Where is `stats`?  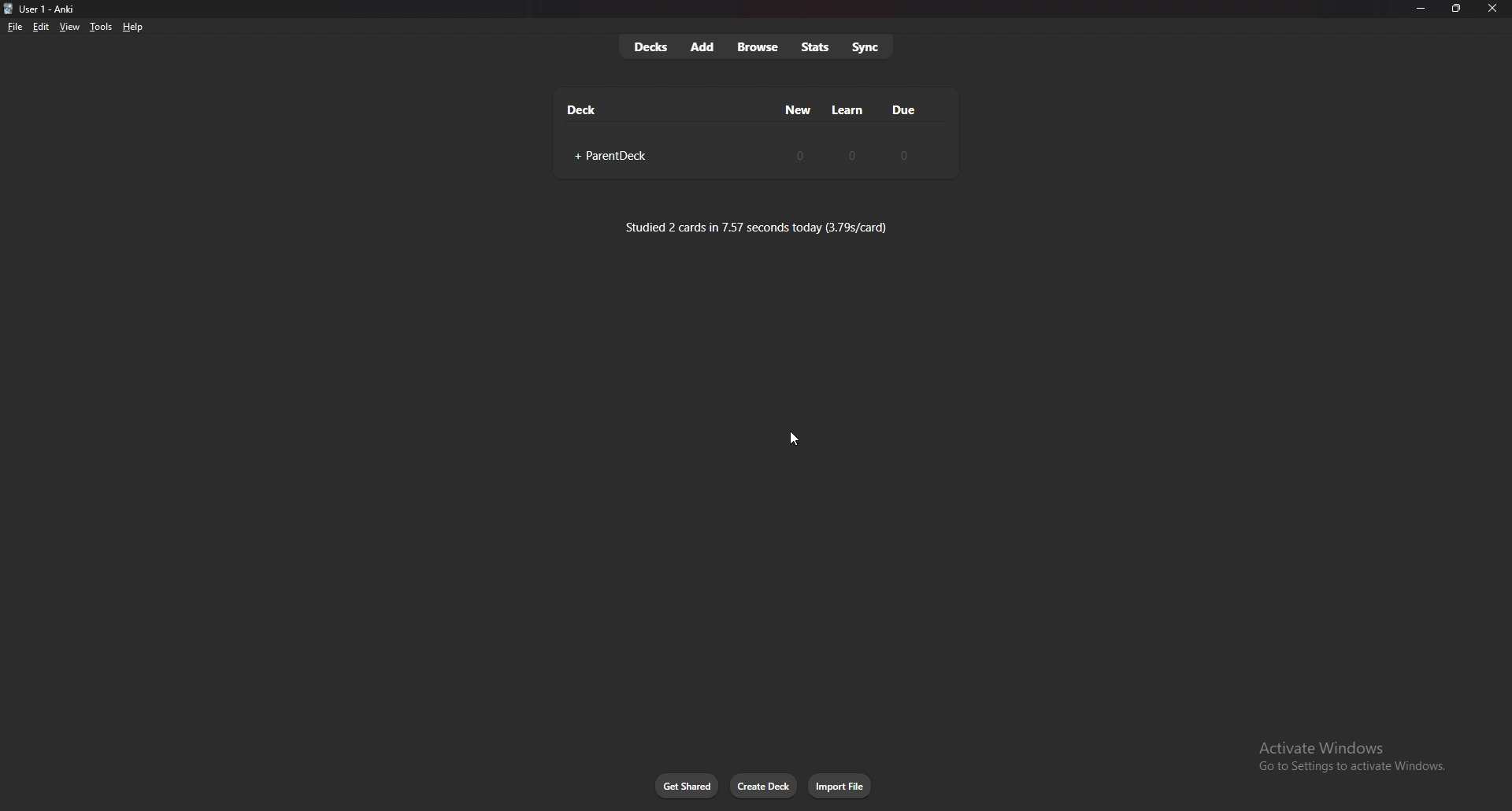 stats is located at coordinates (815, 47).